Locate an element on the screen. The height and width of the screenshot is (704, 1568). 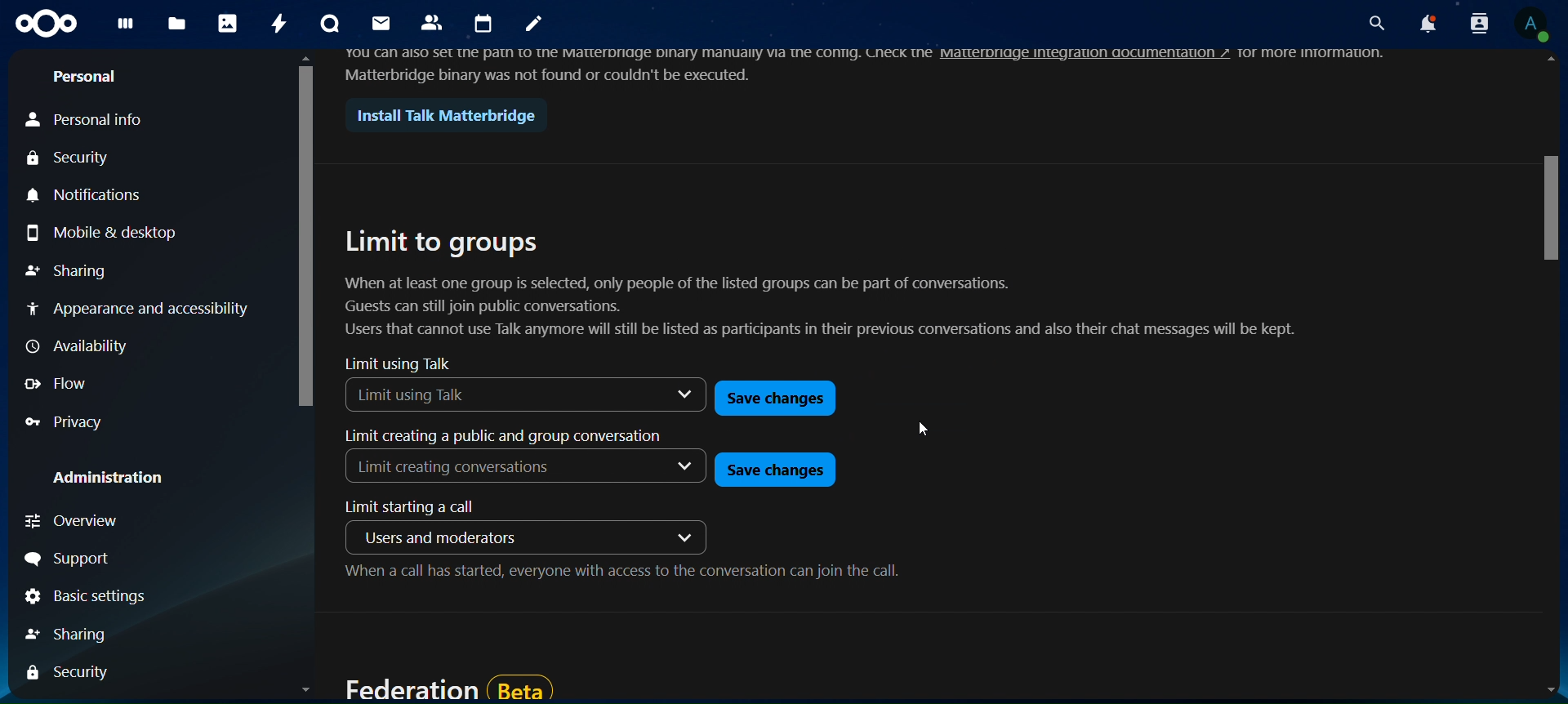
flow is located at coordinates (65, 382).